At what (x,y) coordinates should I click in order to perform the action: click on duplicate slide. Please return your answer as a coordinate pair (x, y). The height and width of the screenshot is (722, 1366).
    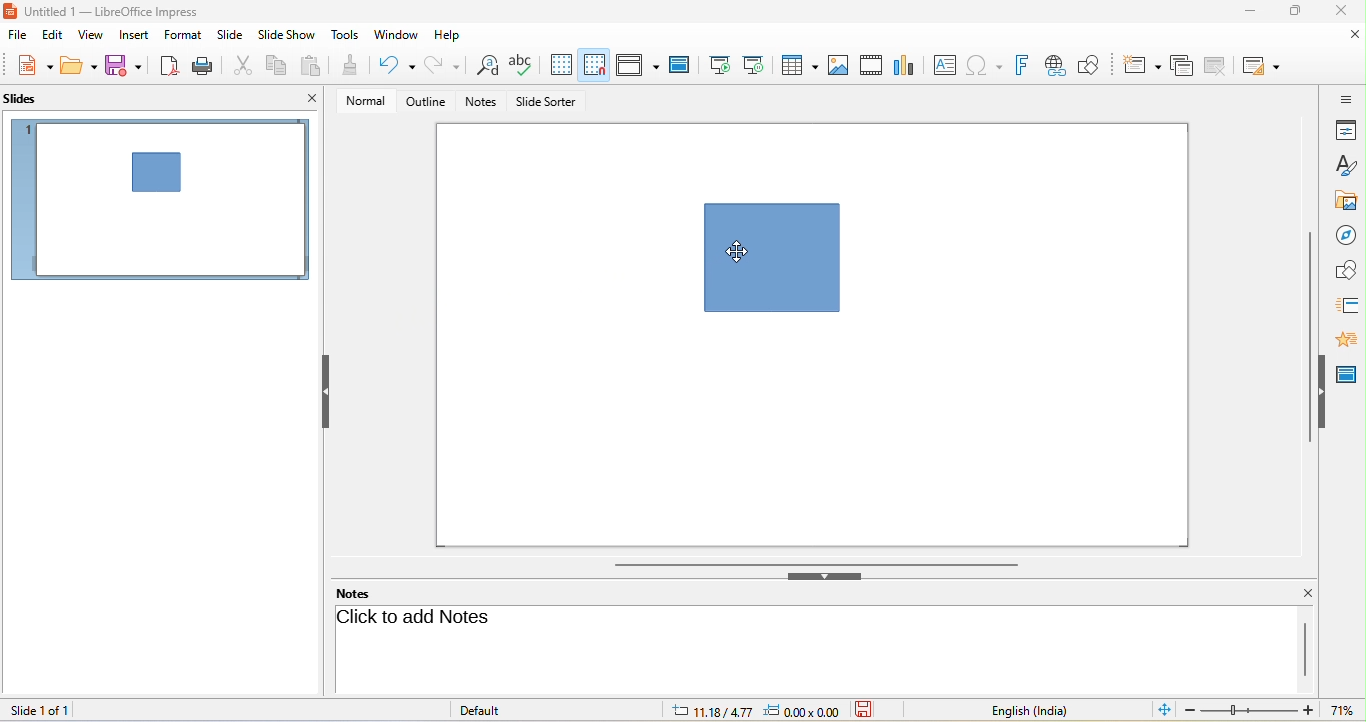
    Looking at the image, I should click on (1179, 67).